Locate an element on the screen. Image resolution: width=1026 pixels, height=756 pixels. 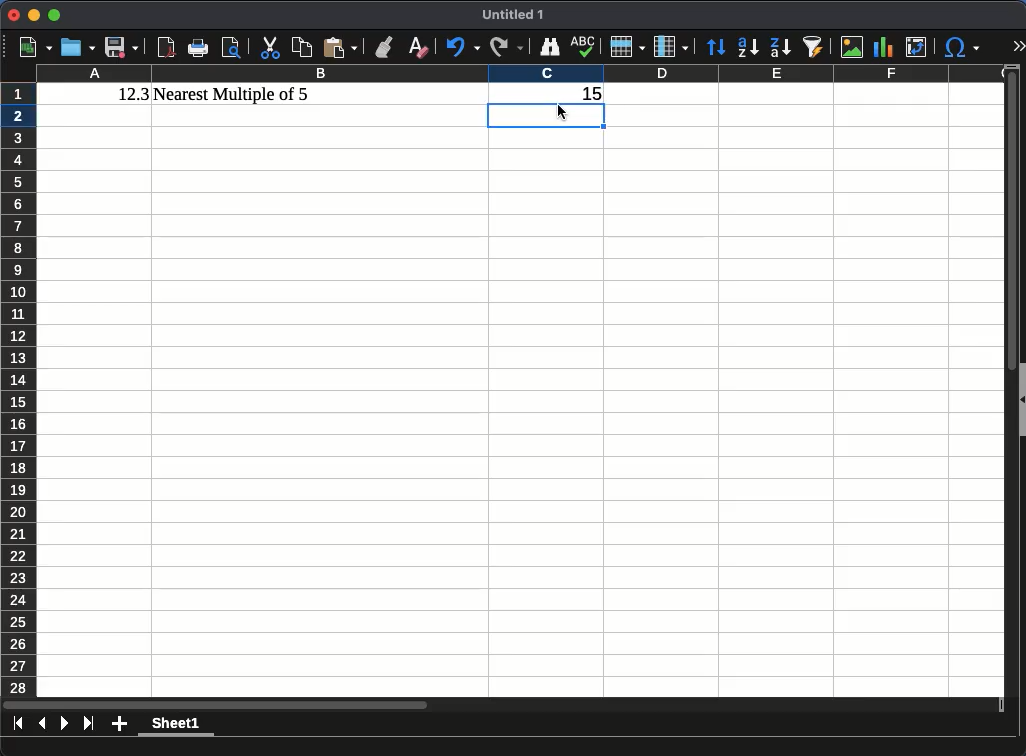
copy is located at coordinates (301, 46).